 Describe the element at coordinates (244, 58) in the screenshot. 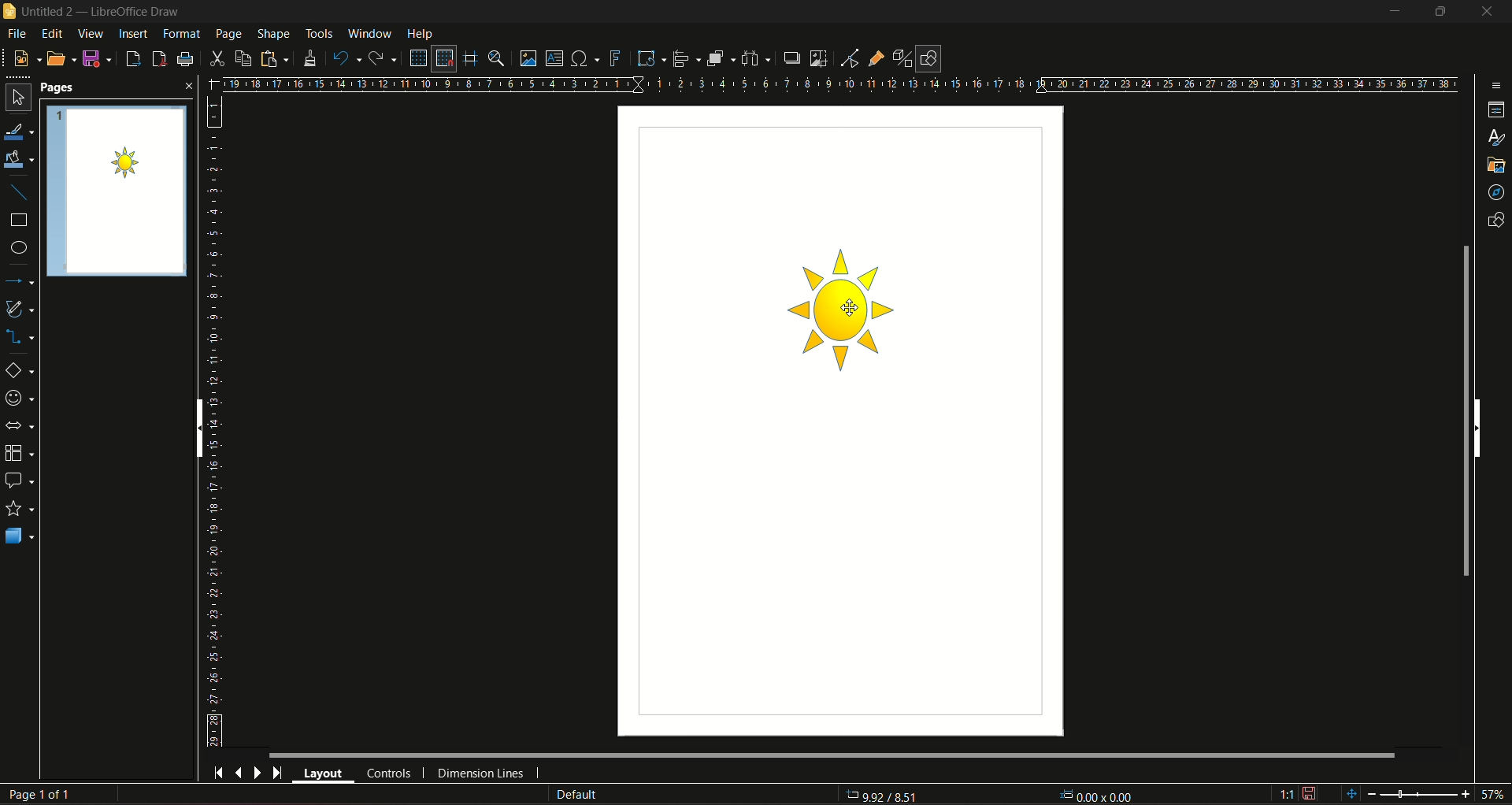

I see `copy` at that location.